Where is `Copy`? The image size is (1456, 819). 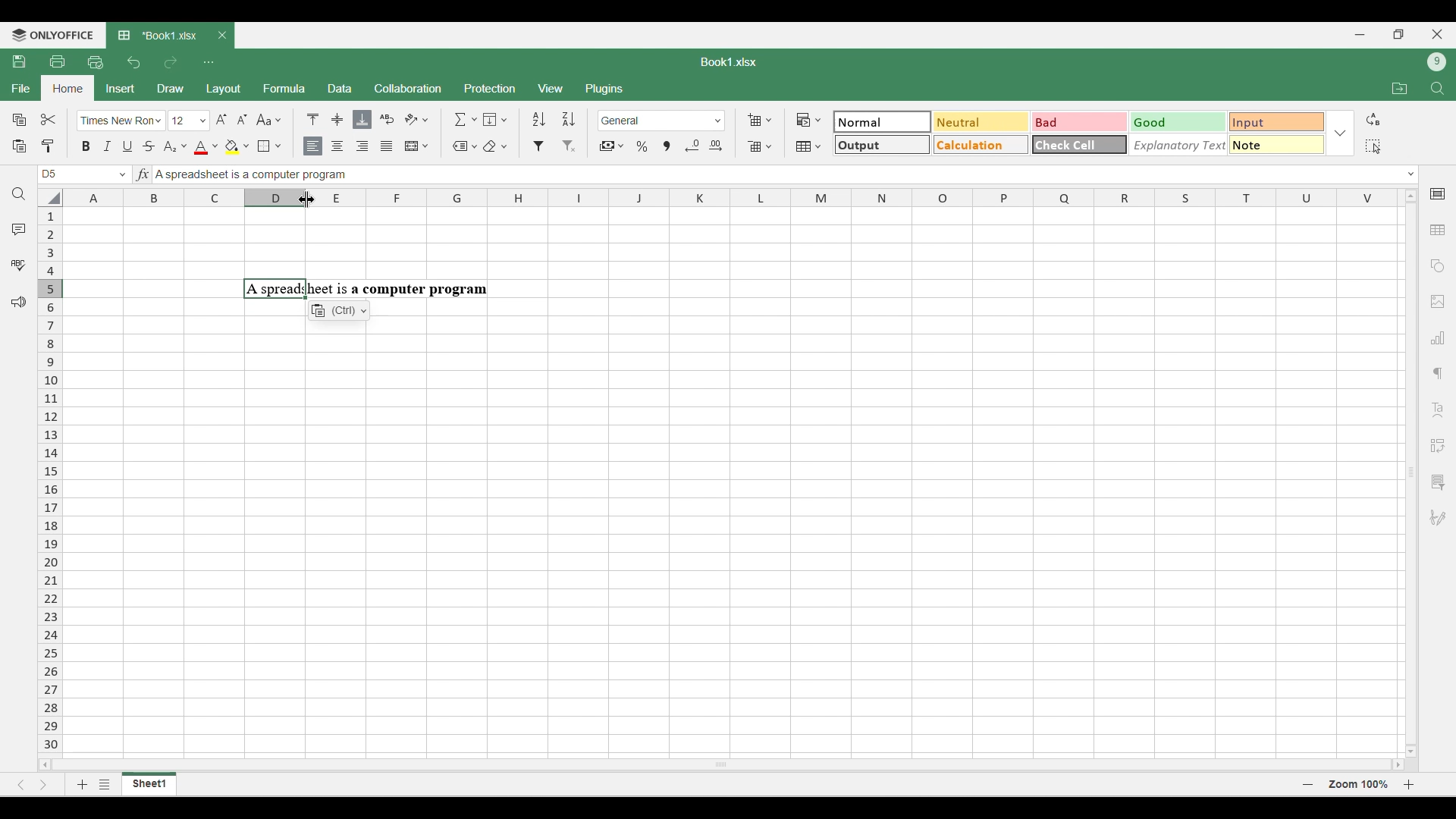 Copy is located at coordinates (20, 119).